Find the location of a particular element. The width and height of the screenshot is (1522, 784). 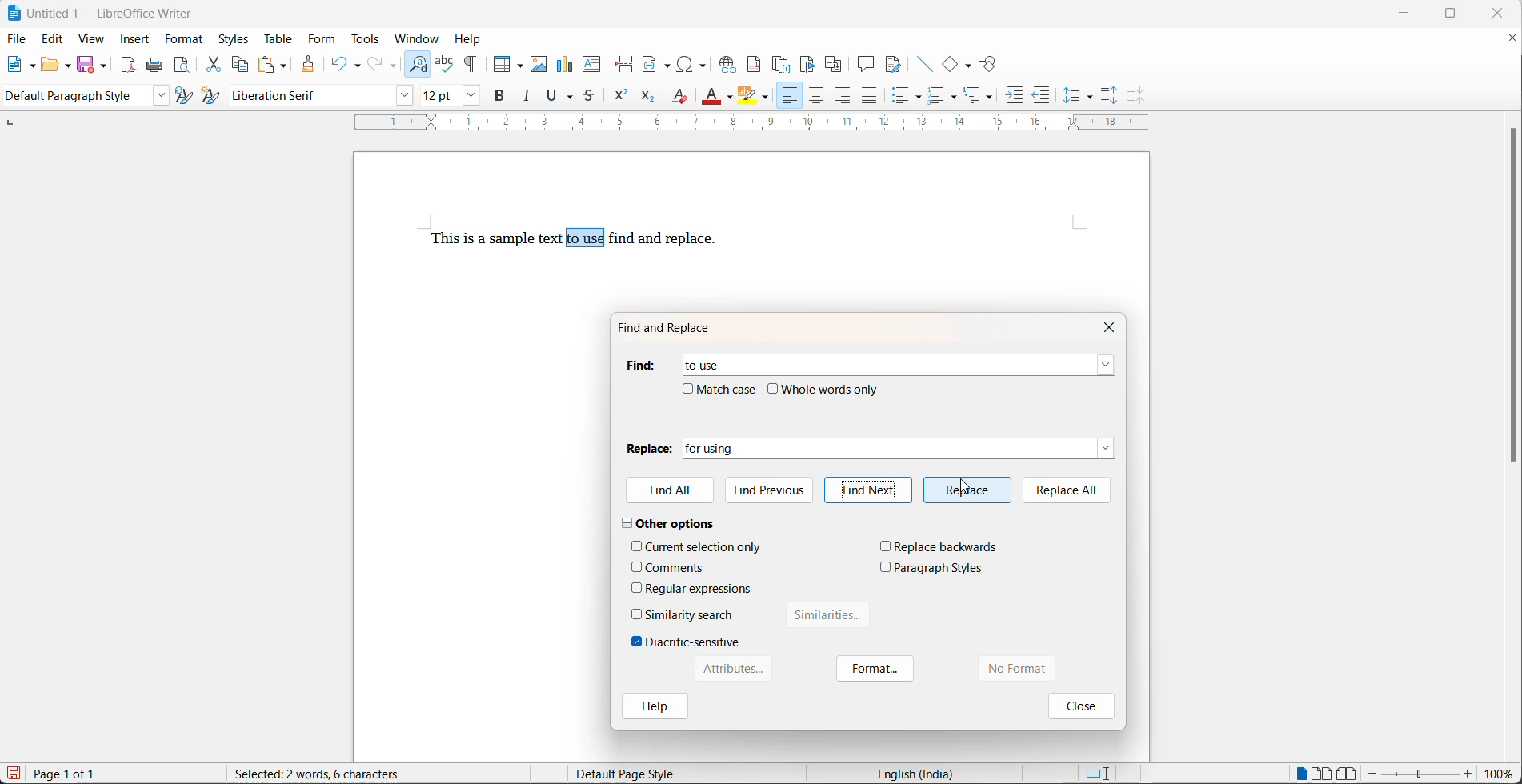

similarity search is located at coordinates (690, 614).